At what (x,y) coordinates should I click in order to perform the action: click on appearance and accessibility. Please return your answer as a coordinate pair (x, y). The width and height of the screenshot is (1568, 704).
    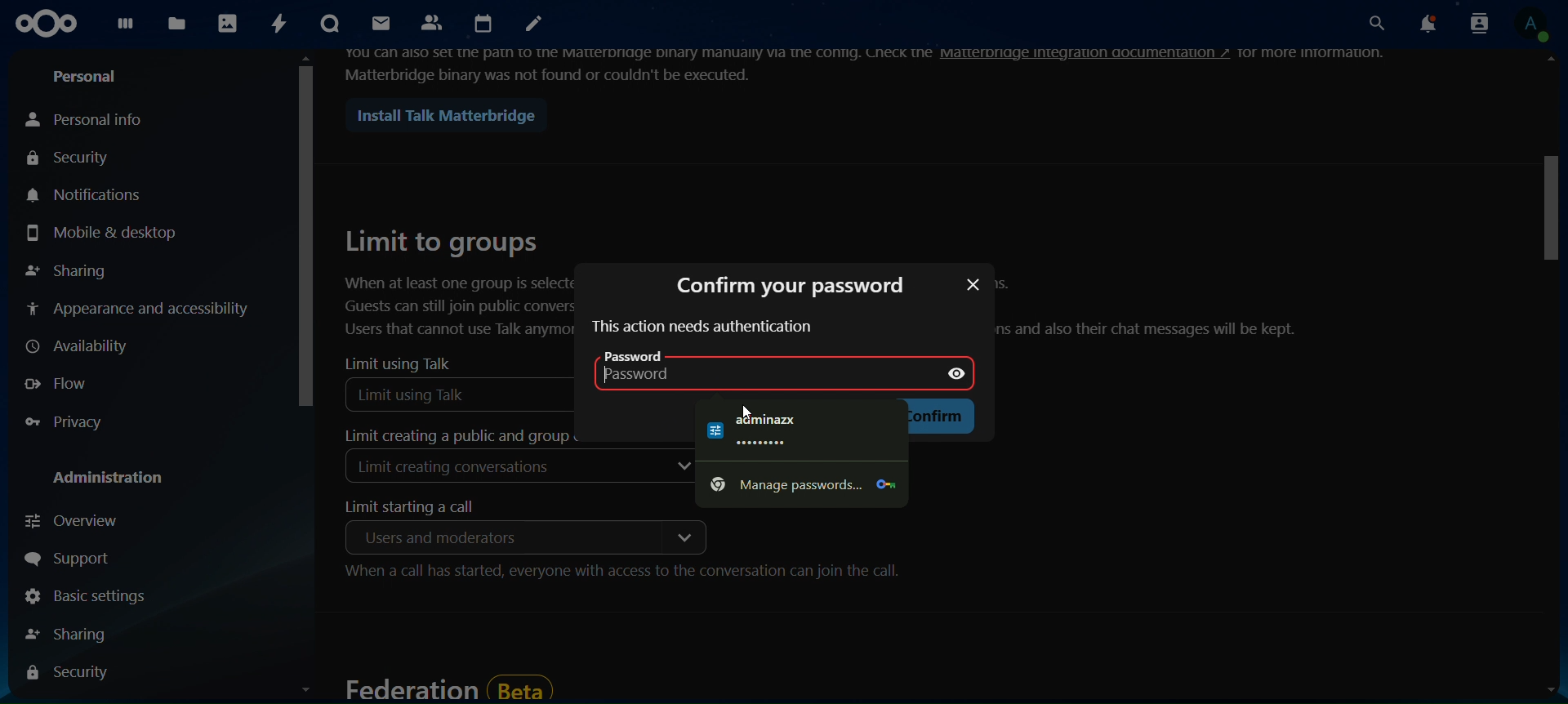
    Looking at the image, I should click on (138, 307).